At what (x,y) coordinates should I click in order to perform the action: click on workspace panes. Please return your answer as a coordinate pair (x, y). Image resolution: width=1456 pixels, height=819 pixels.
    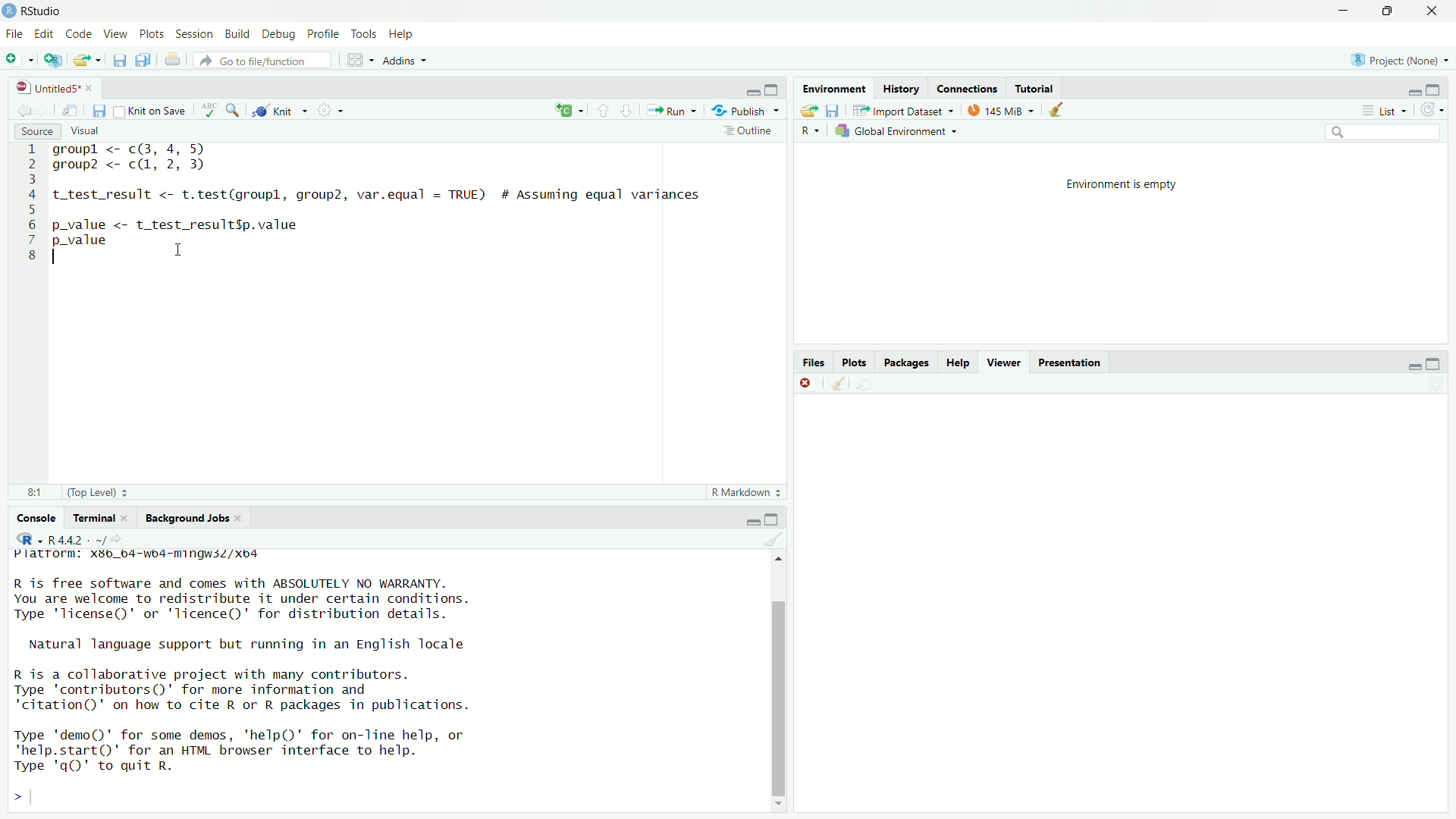
    Looking at the image, I should click on (354, 58).